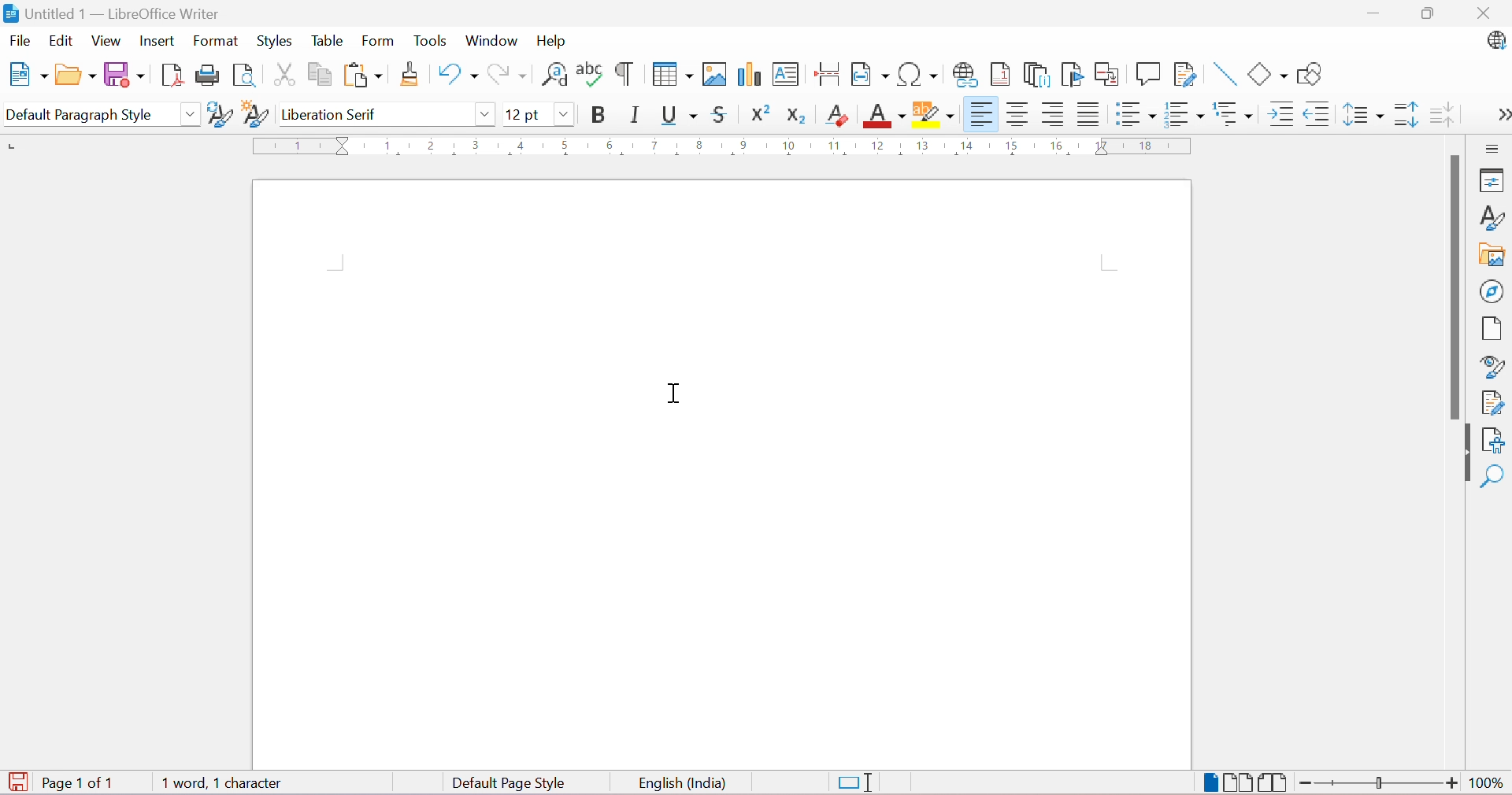 The height and width of the screenshot is (795, 1512). What do you see at coordinates (1222, 74) in the screenshot?
I see `Insert Line` at bounding box center [1222, 74].